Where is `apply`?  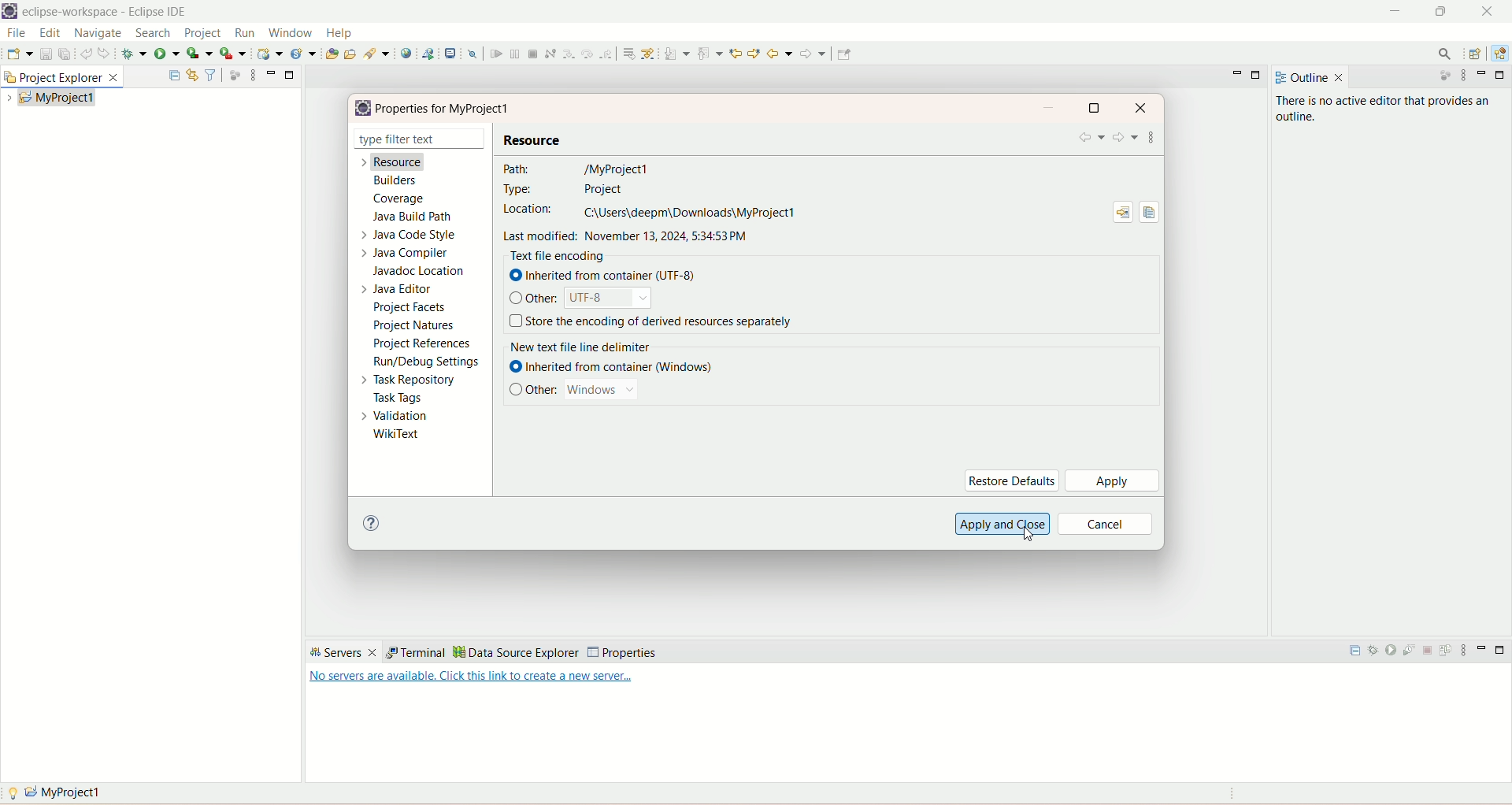
apply is located at coordinates (1110, 480).